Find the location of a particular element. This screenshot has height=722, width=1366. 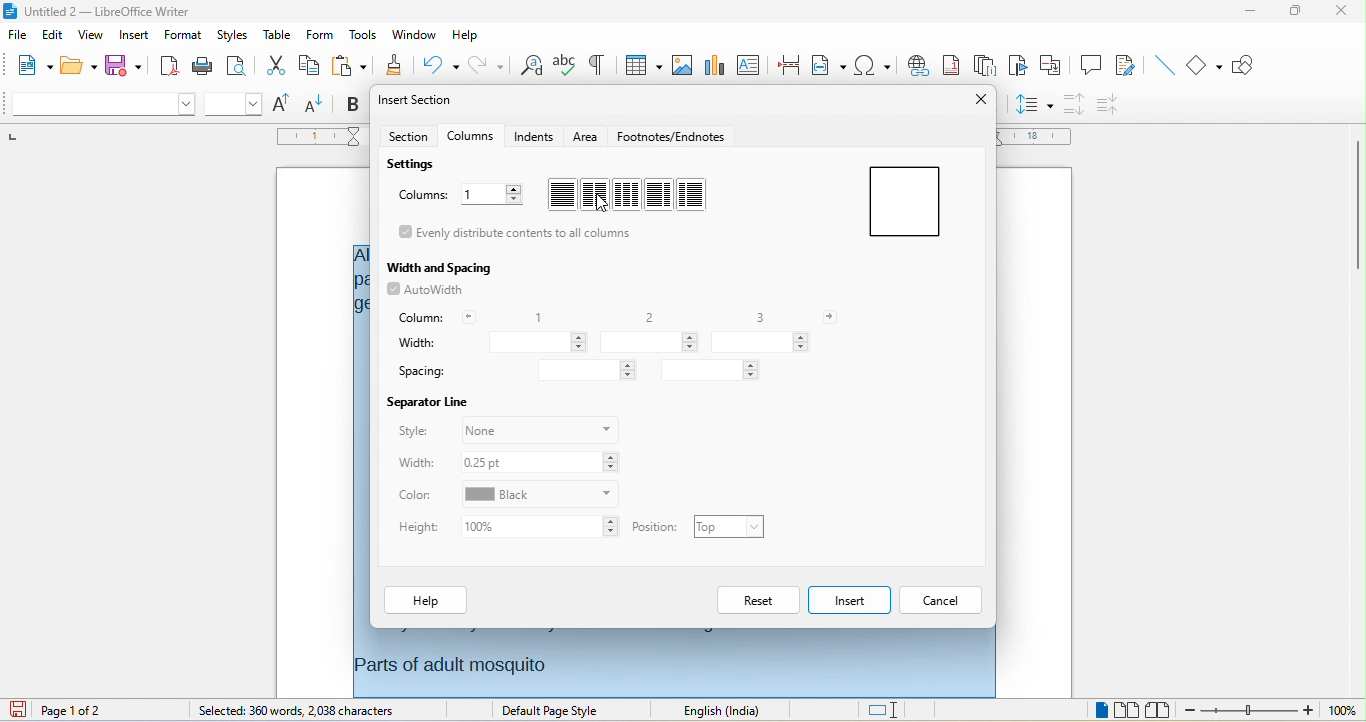

color is located at coordinates (417, 495).